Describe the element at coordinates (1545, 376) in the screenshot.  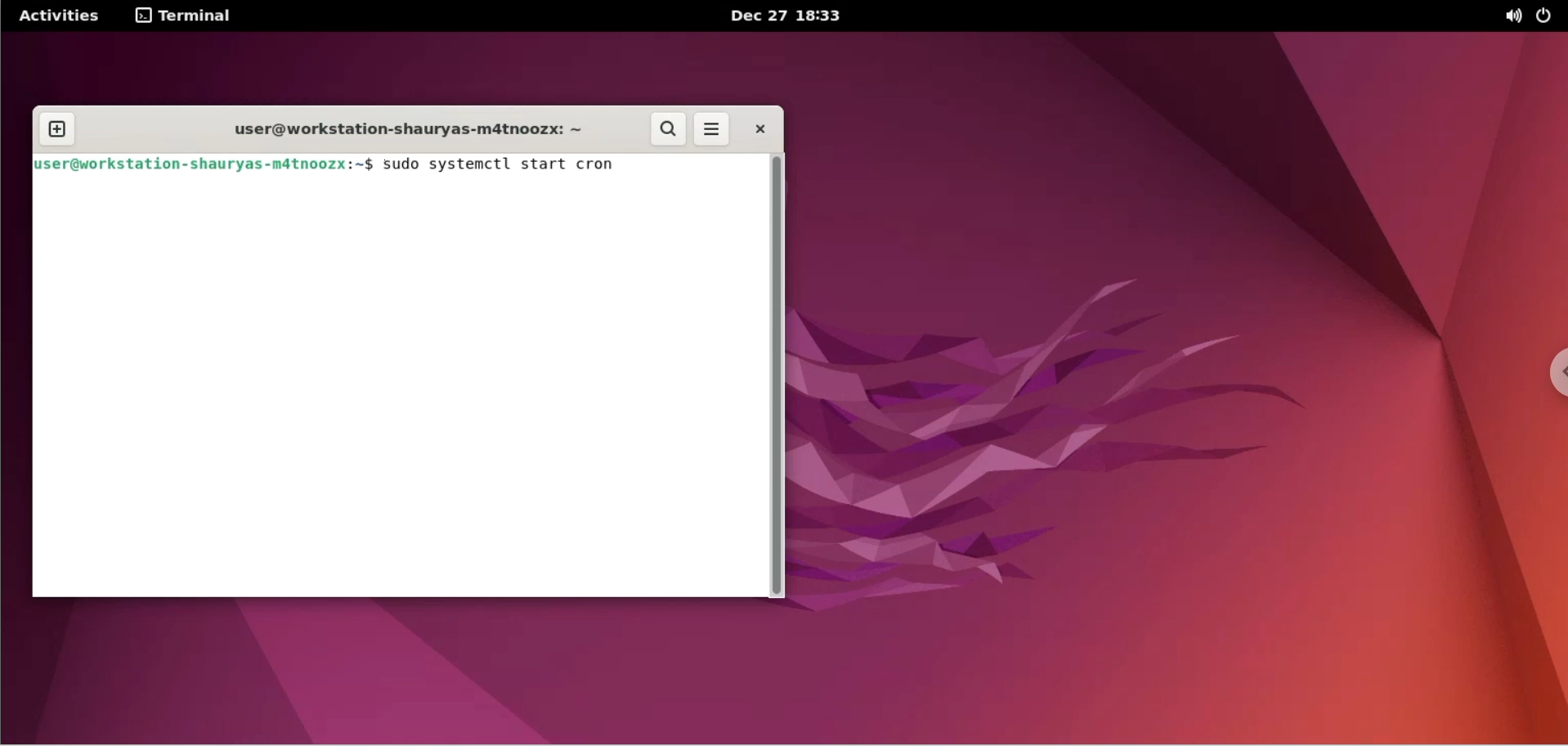
I see `chrome options` at that location.